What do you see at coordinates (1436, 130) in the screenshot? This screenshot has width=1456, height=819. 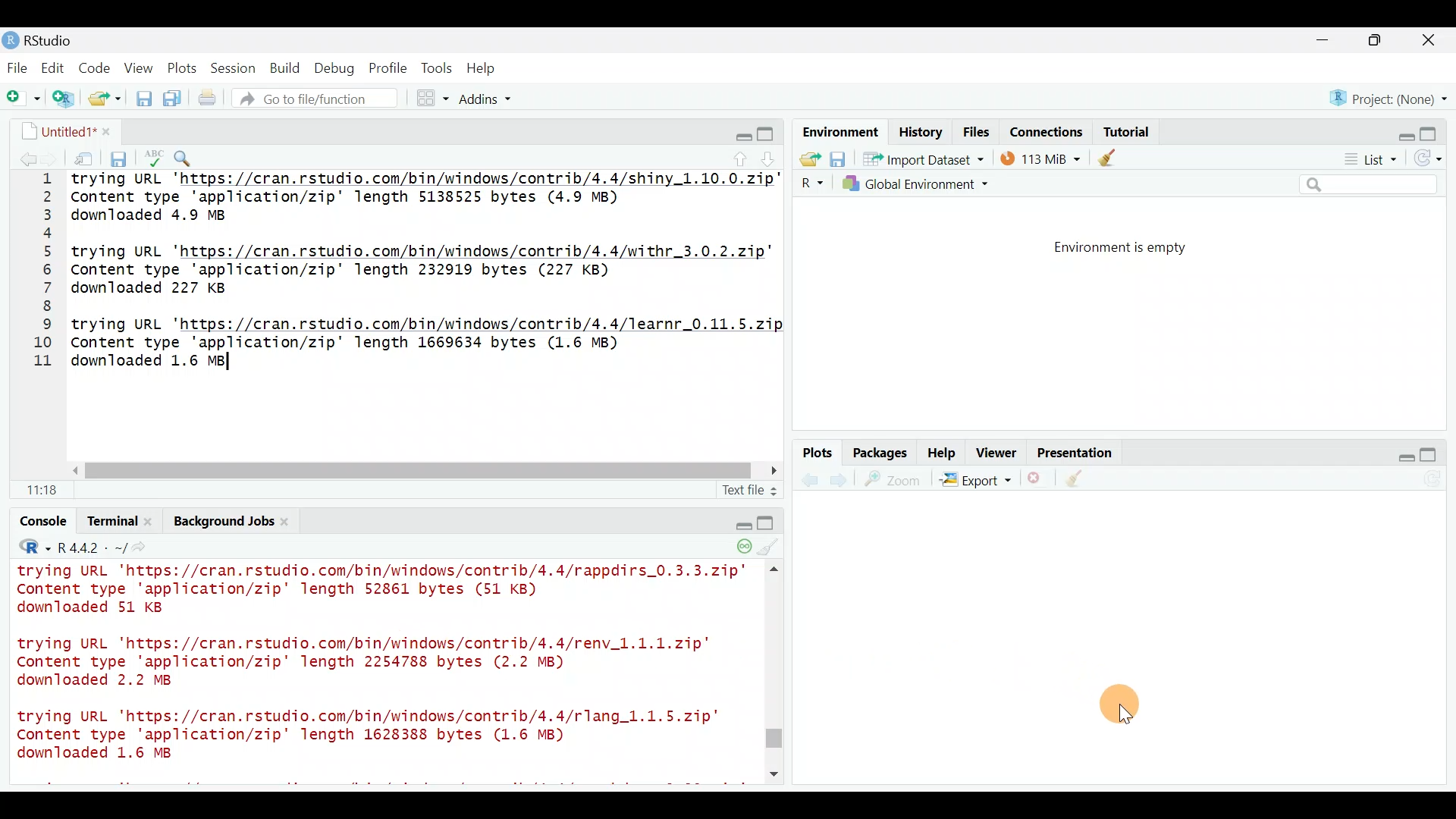 I see `Maximize` at bounding box center [1436, 130].